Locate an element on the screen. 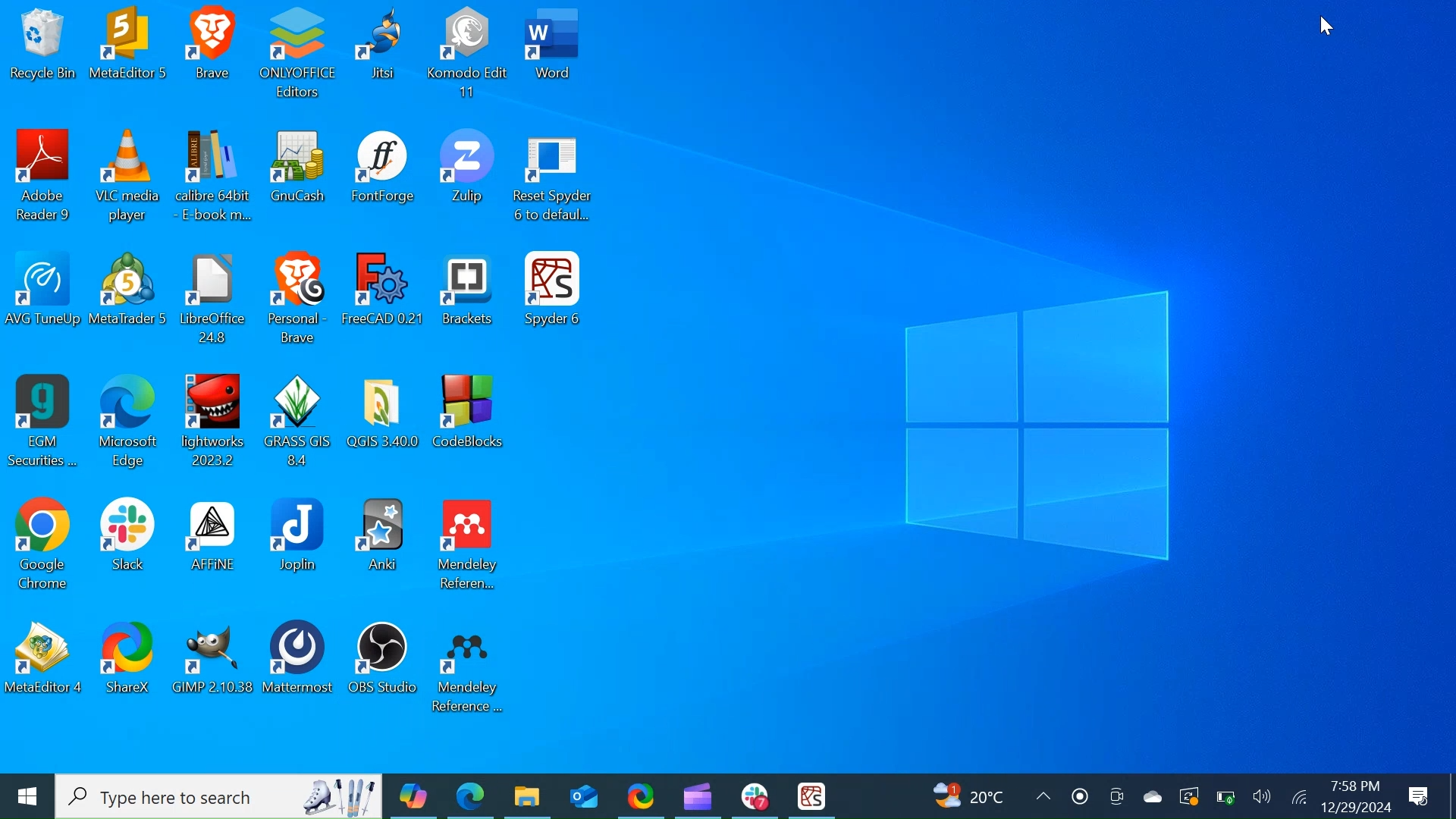  cursor is located at coordinates (1326, 25).